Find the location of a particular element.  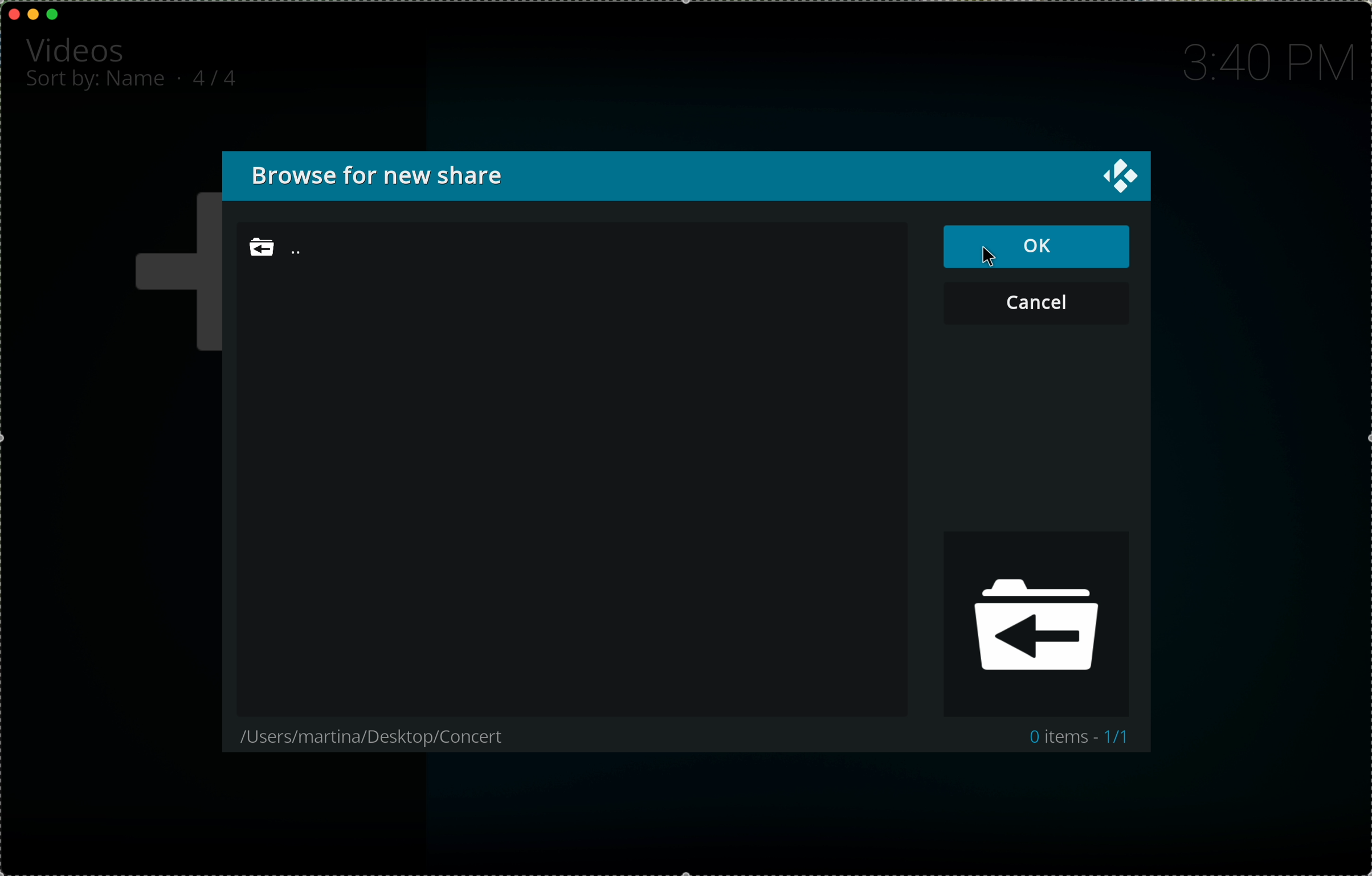

click on OK button is located at coordinates (1040, 247).